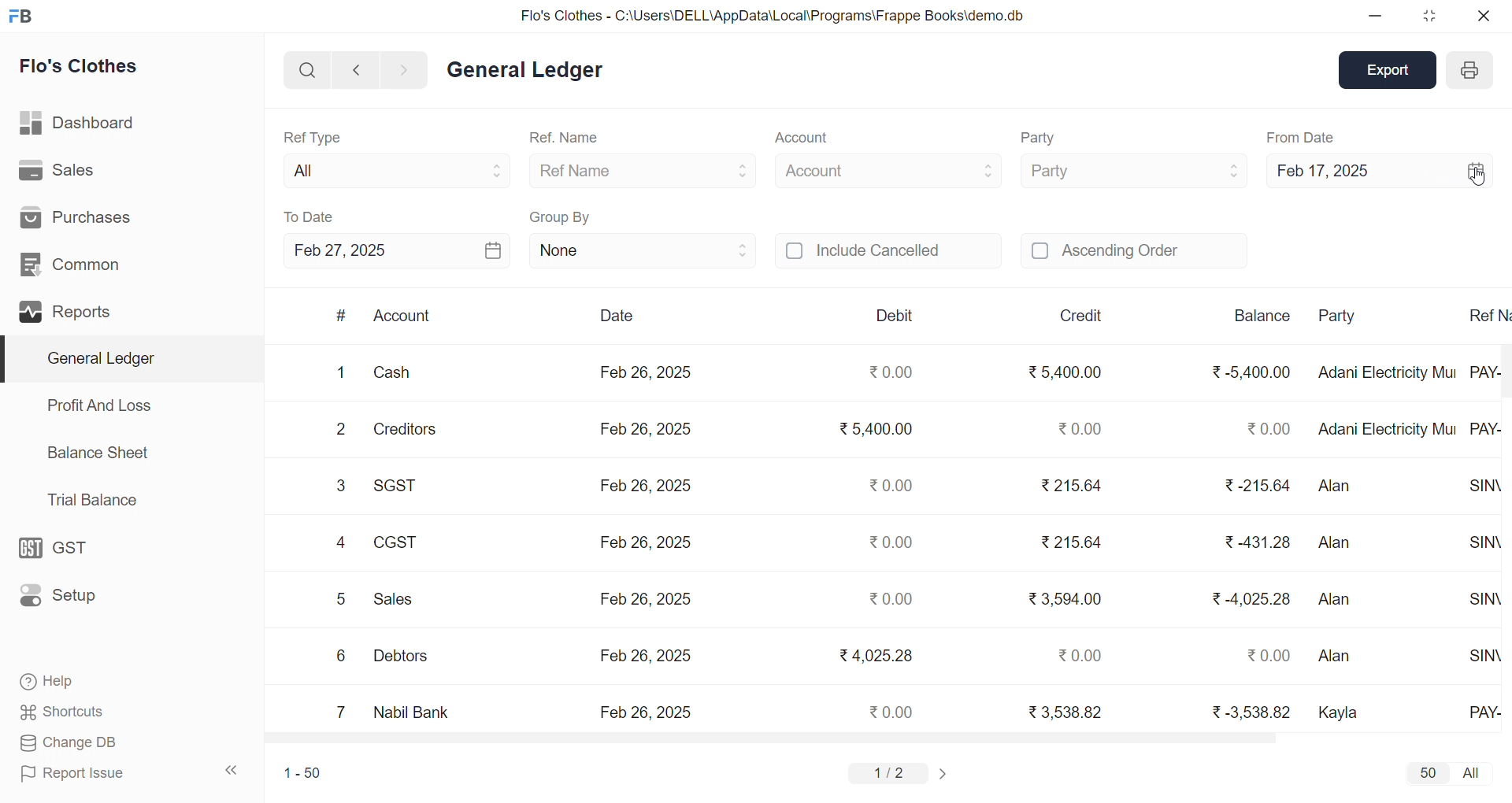  What do you see at coordinates (1134, 249) in the screenshot?
I see `Ascending Order` at bounding box center [1134, 249].